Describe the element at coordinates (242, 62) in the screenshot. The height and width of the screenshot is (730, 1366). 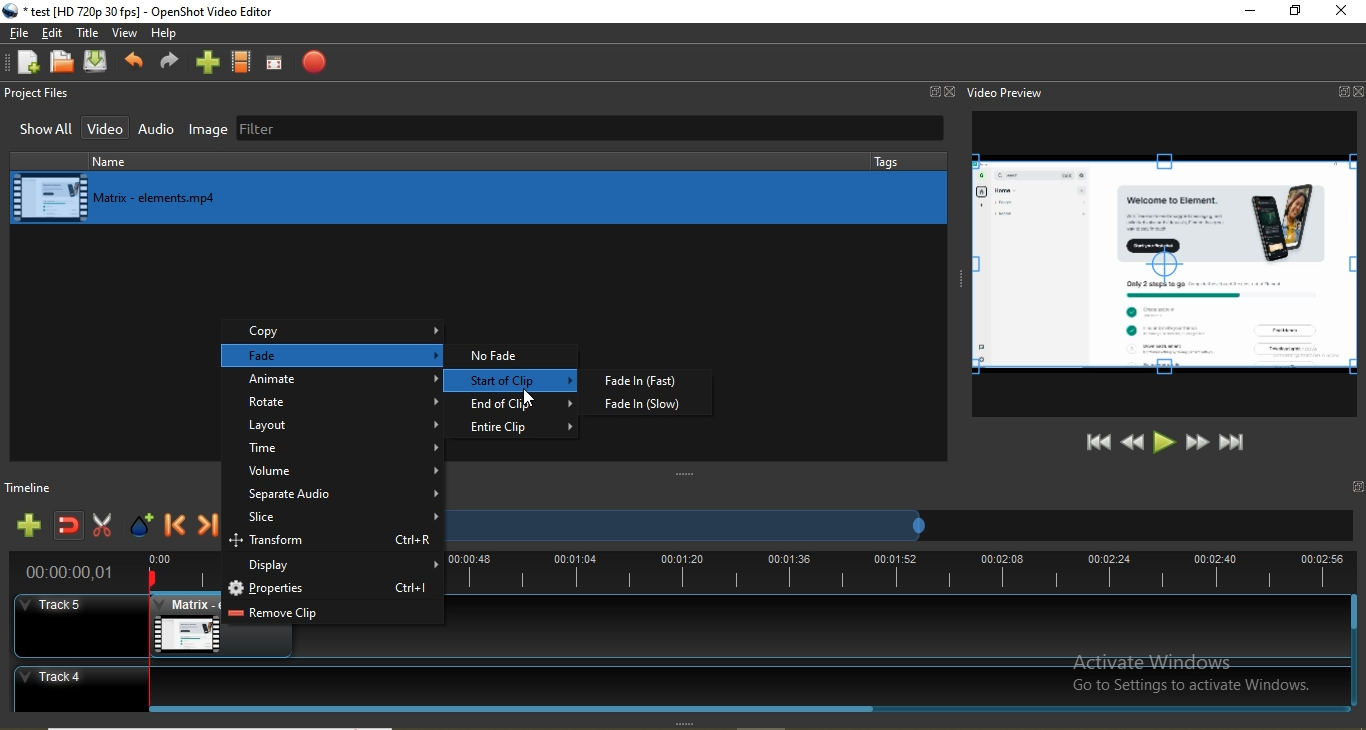
I see `Choose profiles` at that location.